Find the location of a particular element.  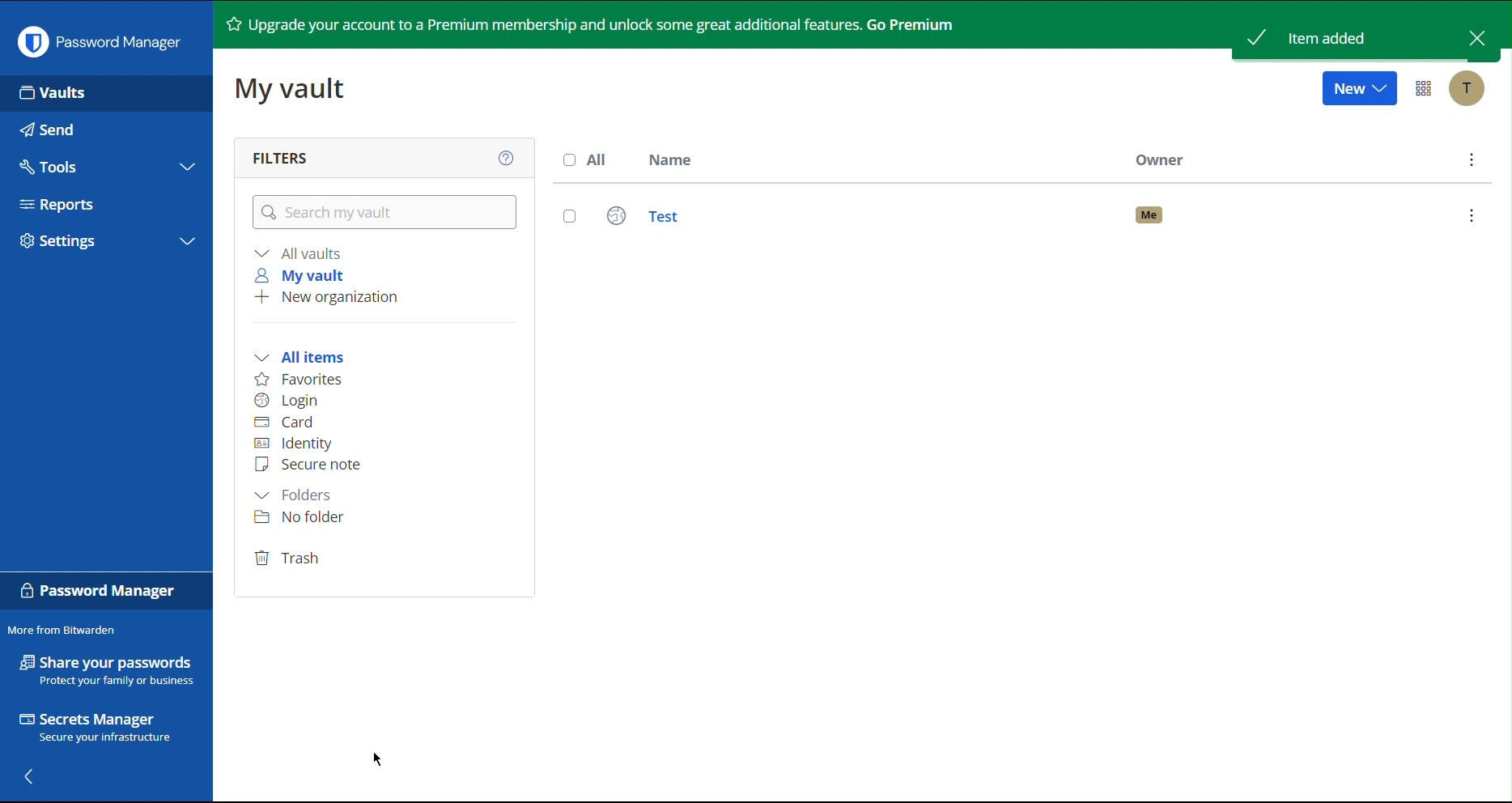

My vault is located at coordinates (296, 91).